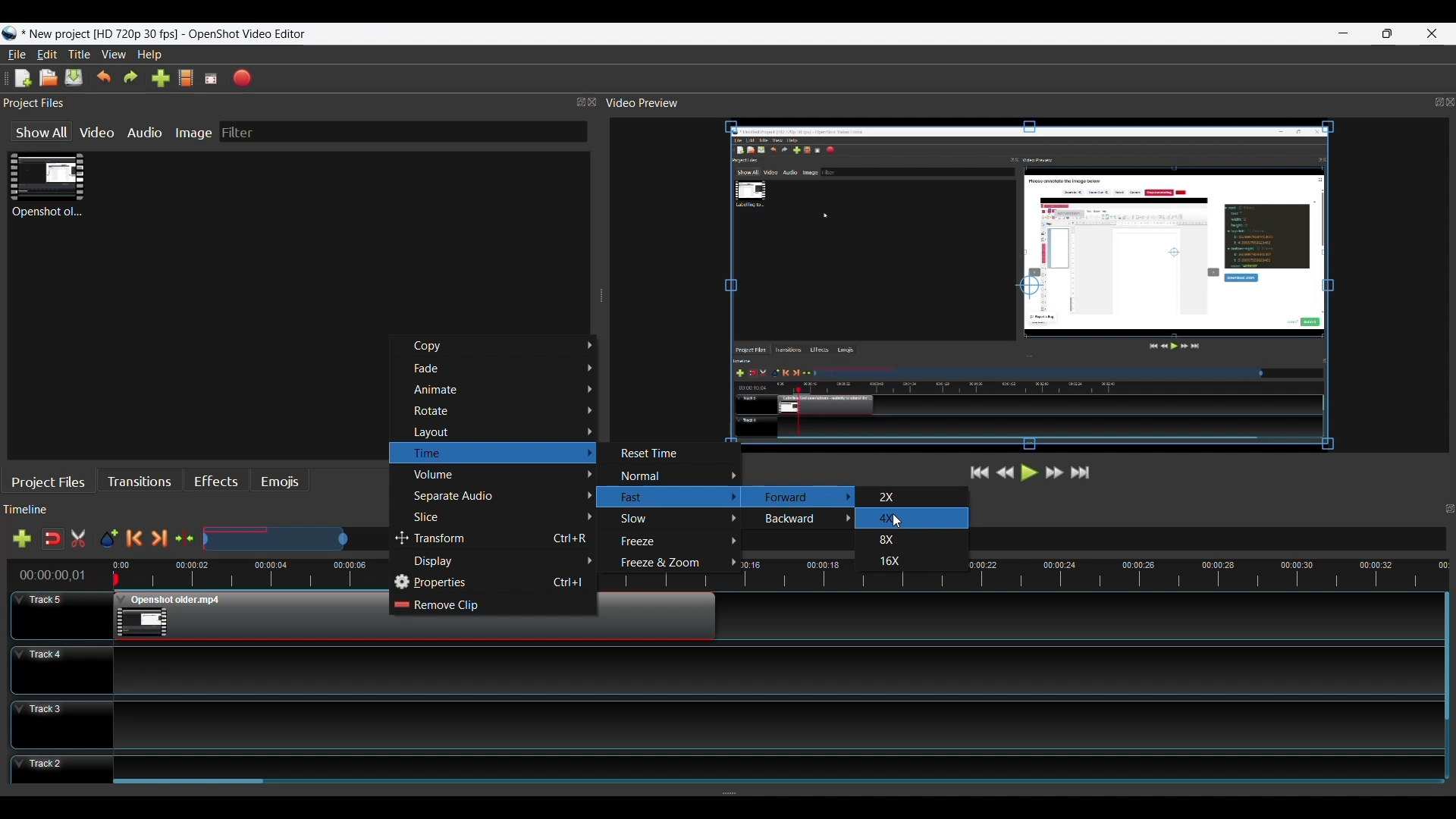 The height and width of the screenshot is (819, 1456). I want to click on Separate Audio, so click(502, 498).